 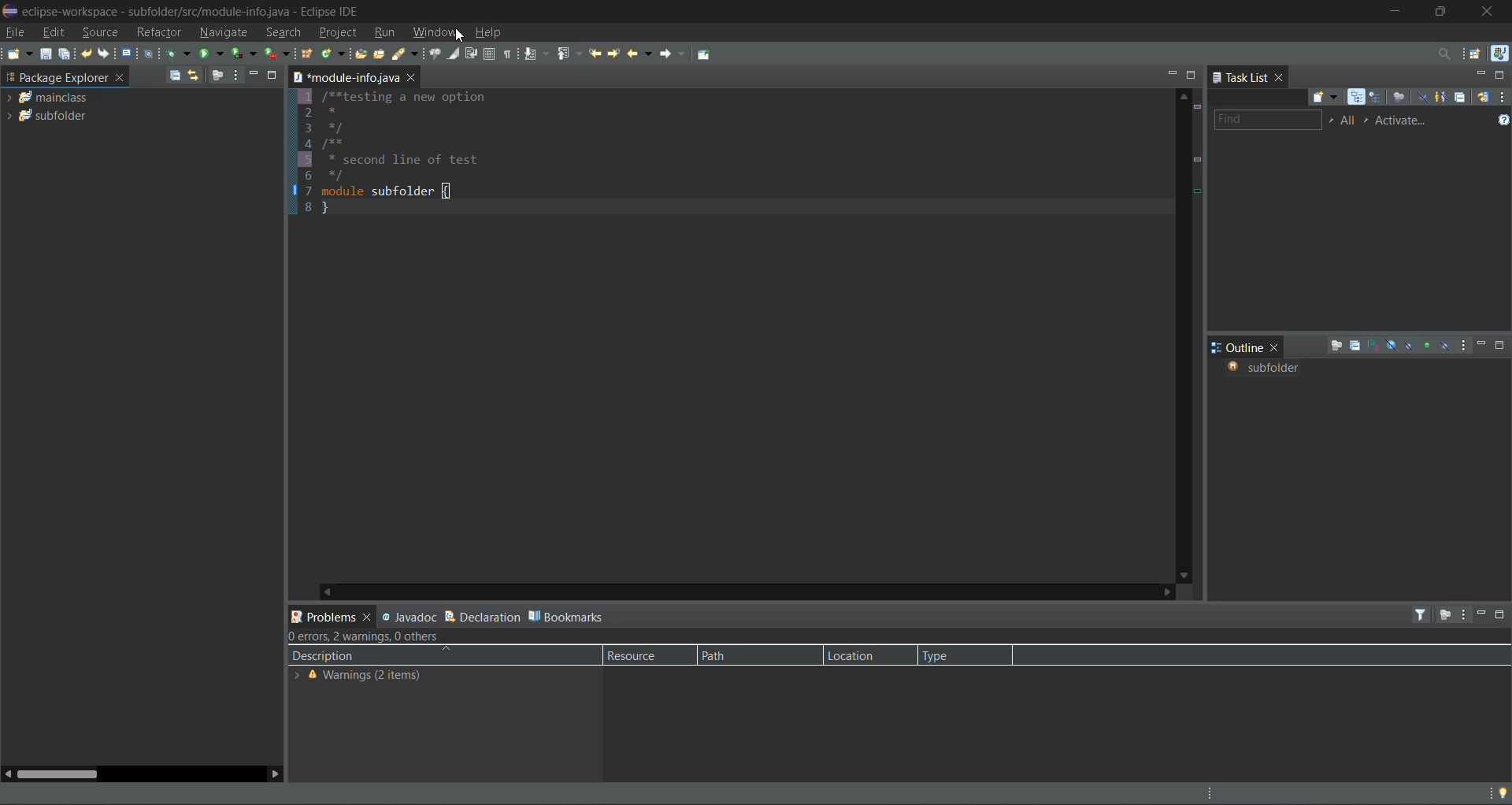 What do you see at coordinates (1271, 369) in the screenshot?
I see `subfolder` at bounding box center [1271, 369].